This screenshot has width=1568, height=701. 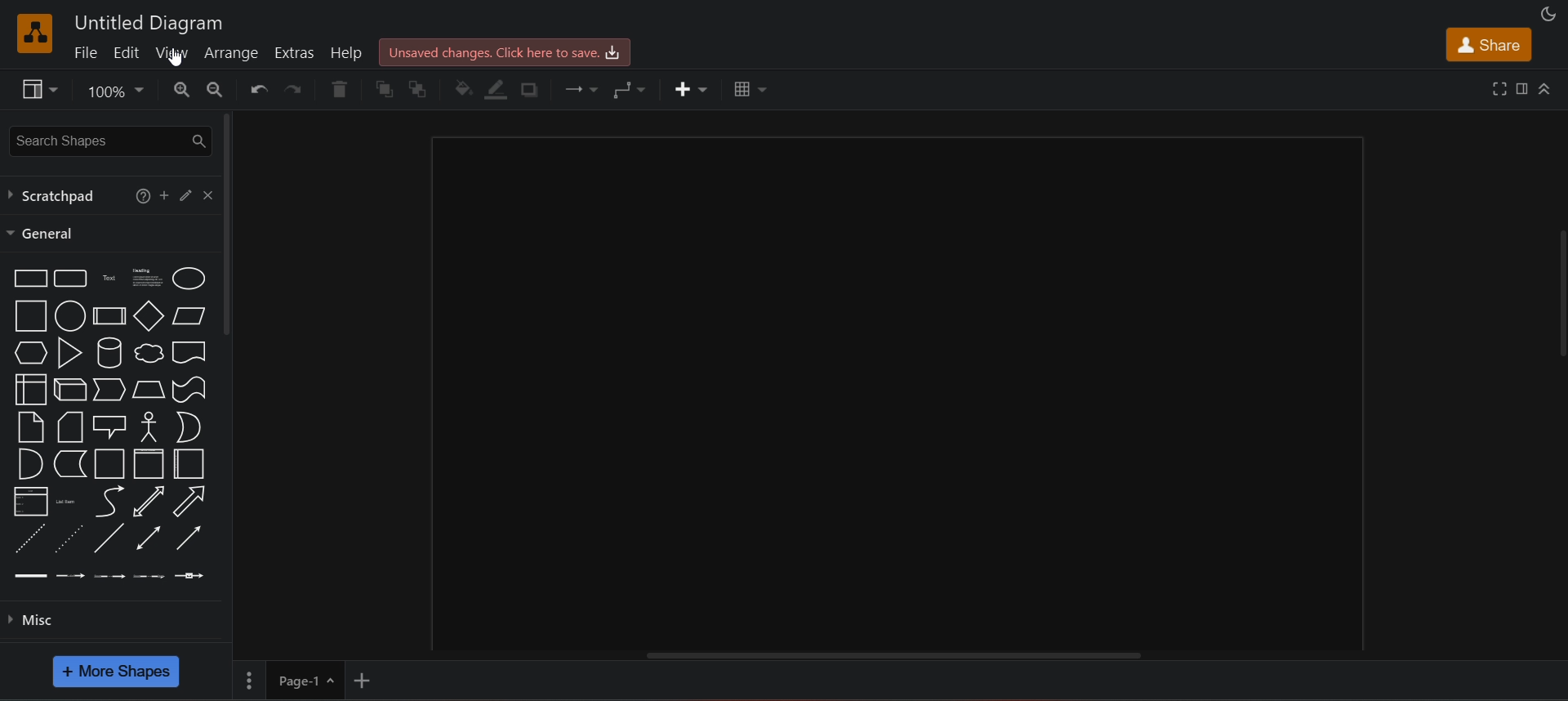 What do you see at coordinates (188, 315) in the screenshot?
I see `paraellogram` at bounding box center [188, 315].